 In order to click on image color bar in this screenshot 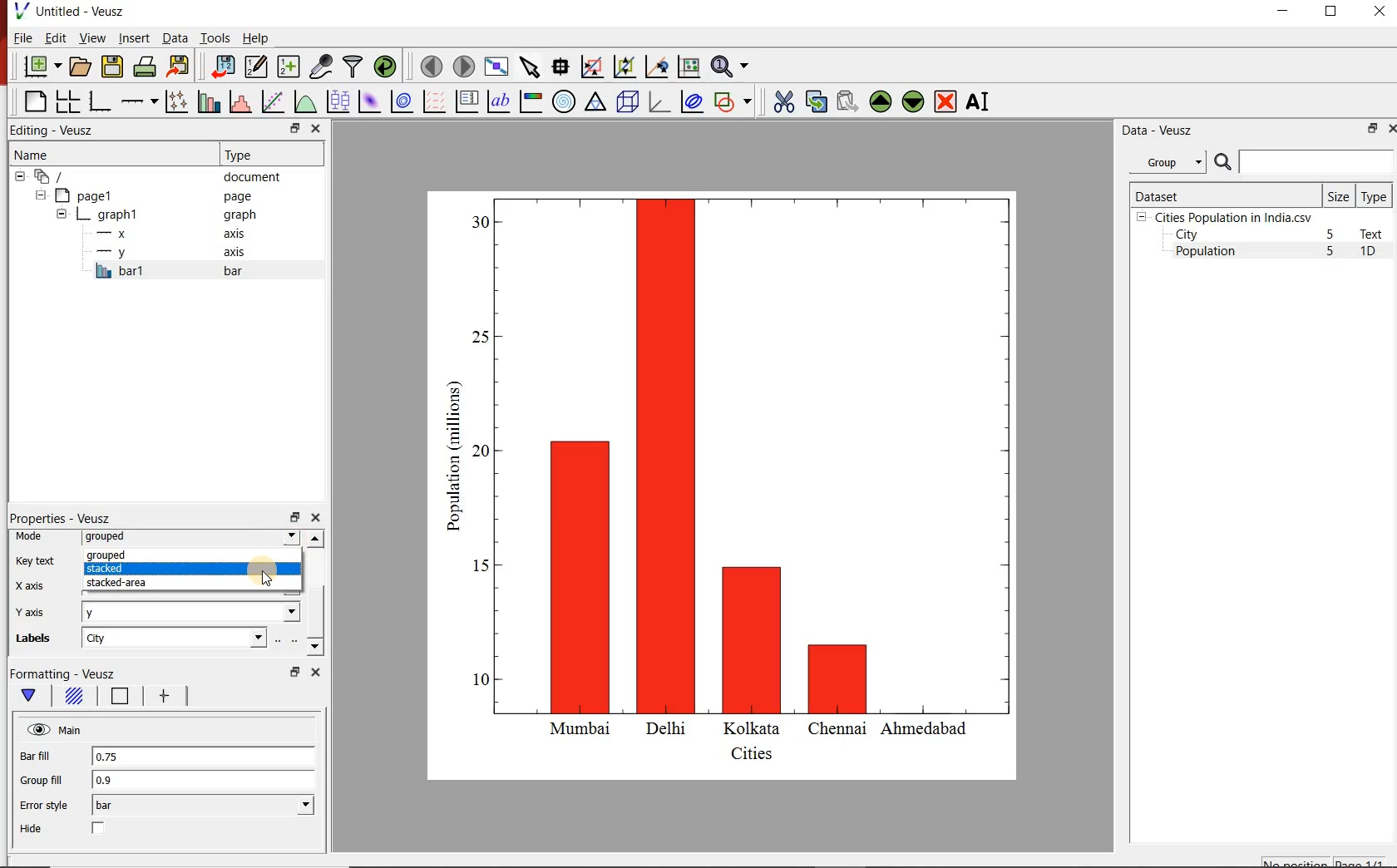, I will do `click(531, 101)`.